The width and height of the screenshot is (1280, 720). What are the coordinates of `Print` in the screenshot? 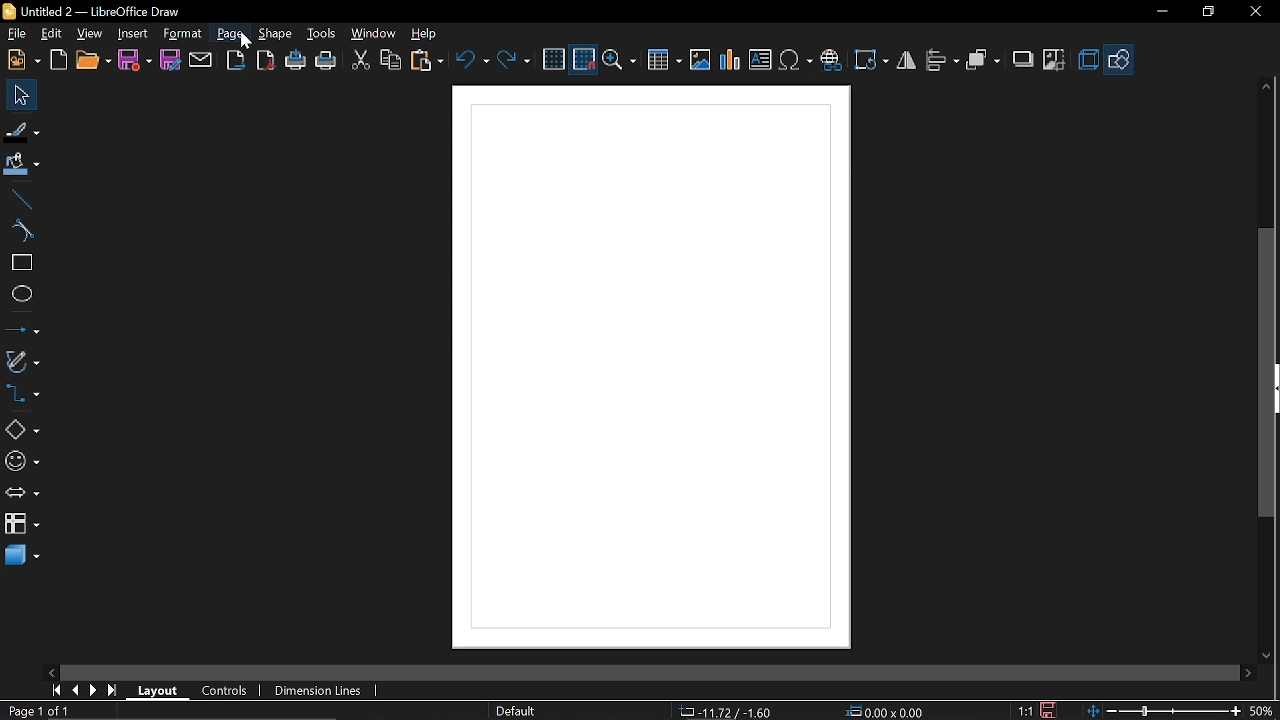 It's located at (326, 61).